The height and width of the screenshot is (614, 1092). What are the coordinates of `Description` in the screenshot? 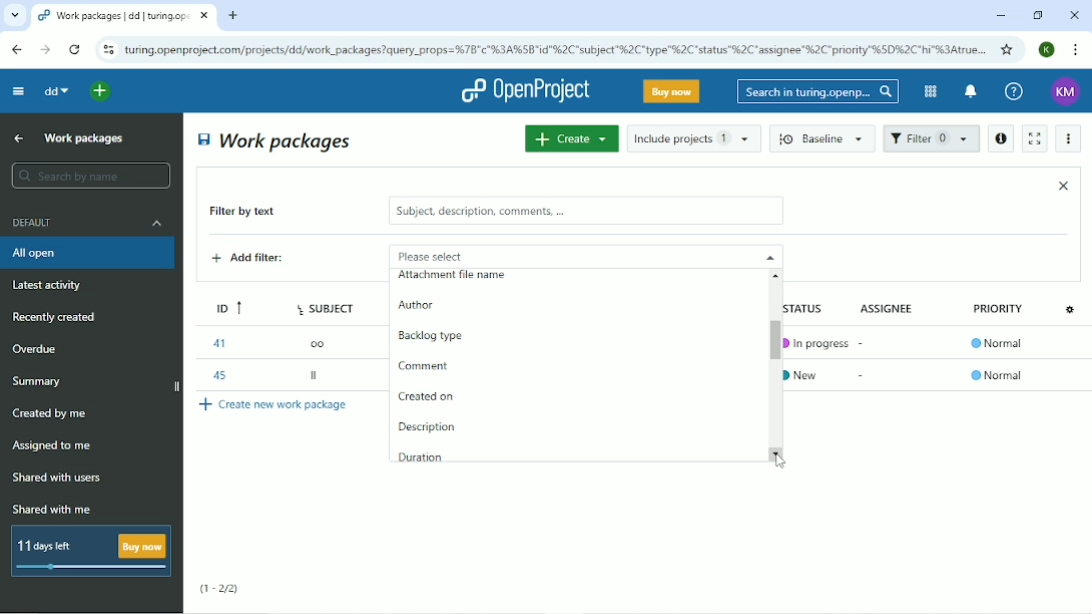 It's located at (428, 427).